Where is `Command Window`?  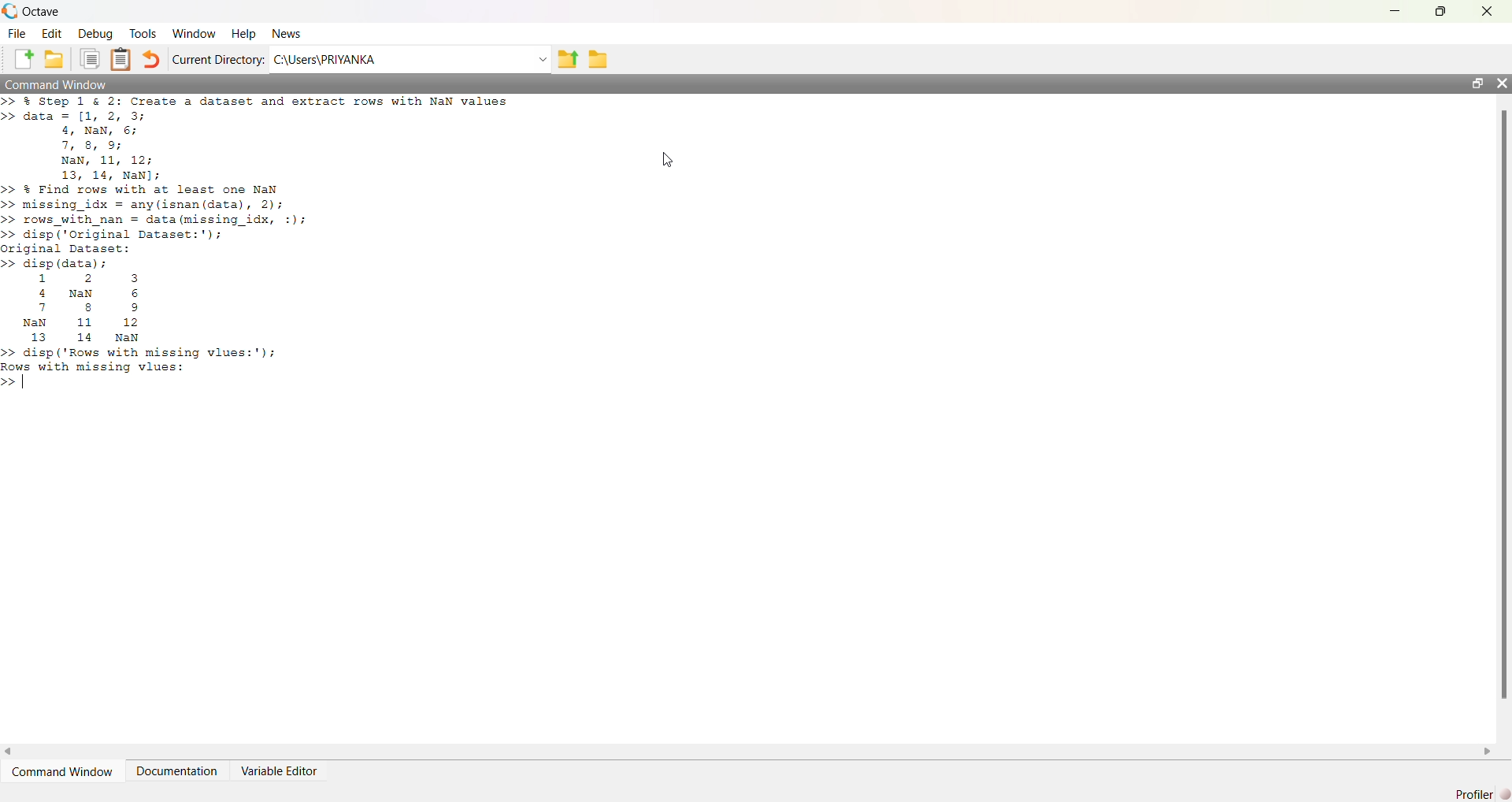 Command Window is located at coordinates (62, 772).